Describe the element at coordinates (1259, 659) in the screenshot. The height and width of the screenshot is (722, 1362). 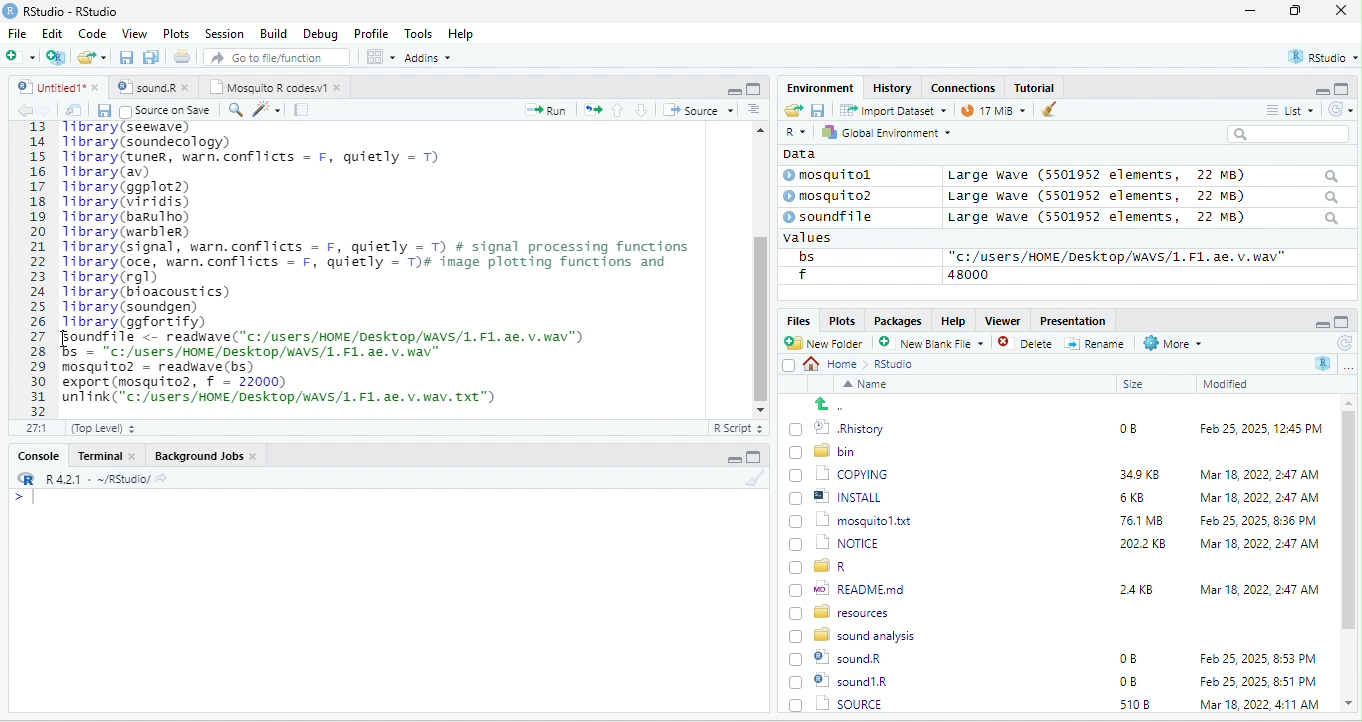
I see `Feb 25, 2025, 8:51 PM` at that location.